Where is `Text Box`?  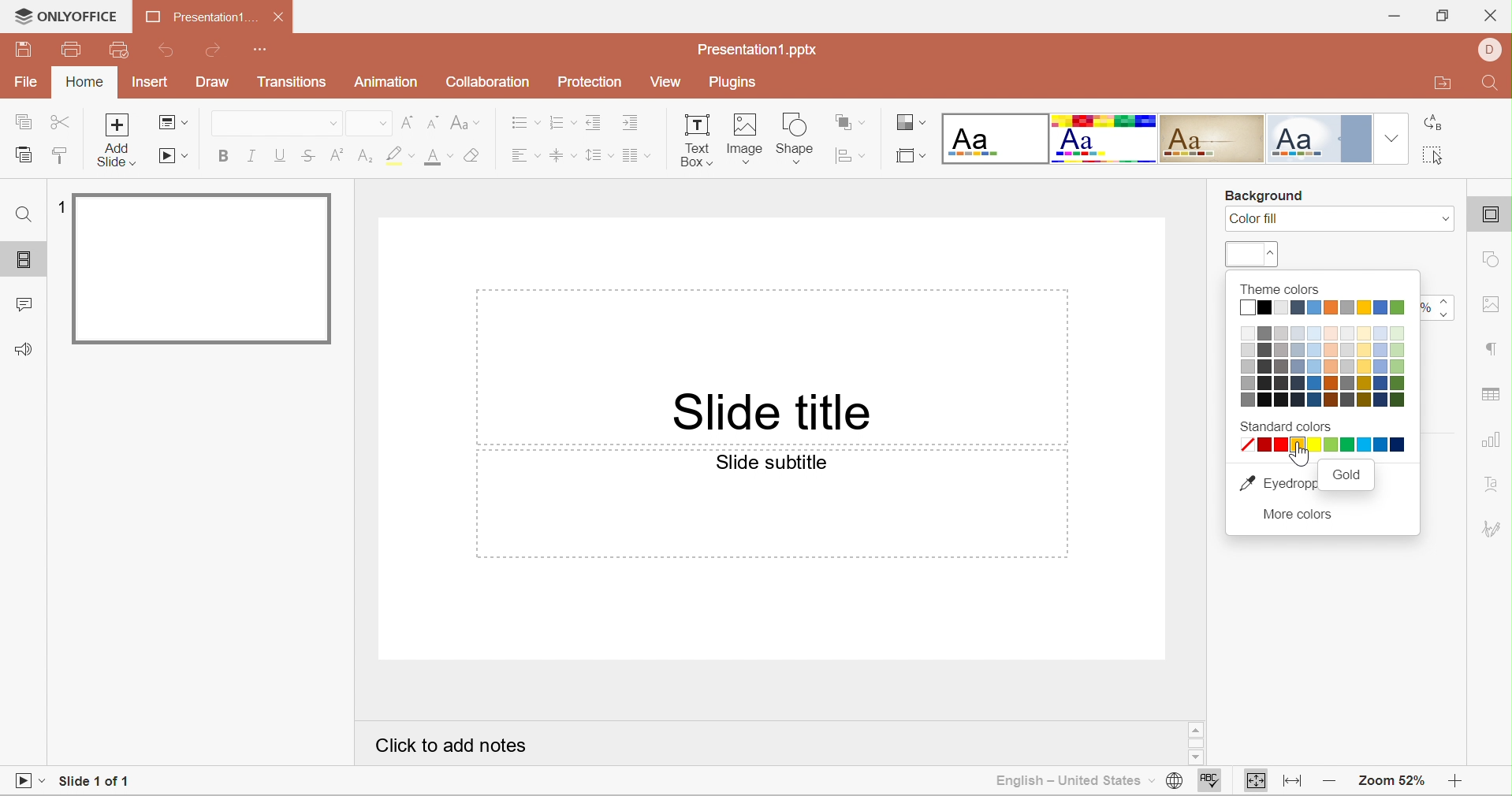
Text Box is located at coordinates (693, 139).